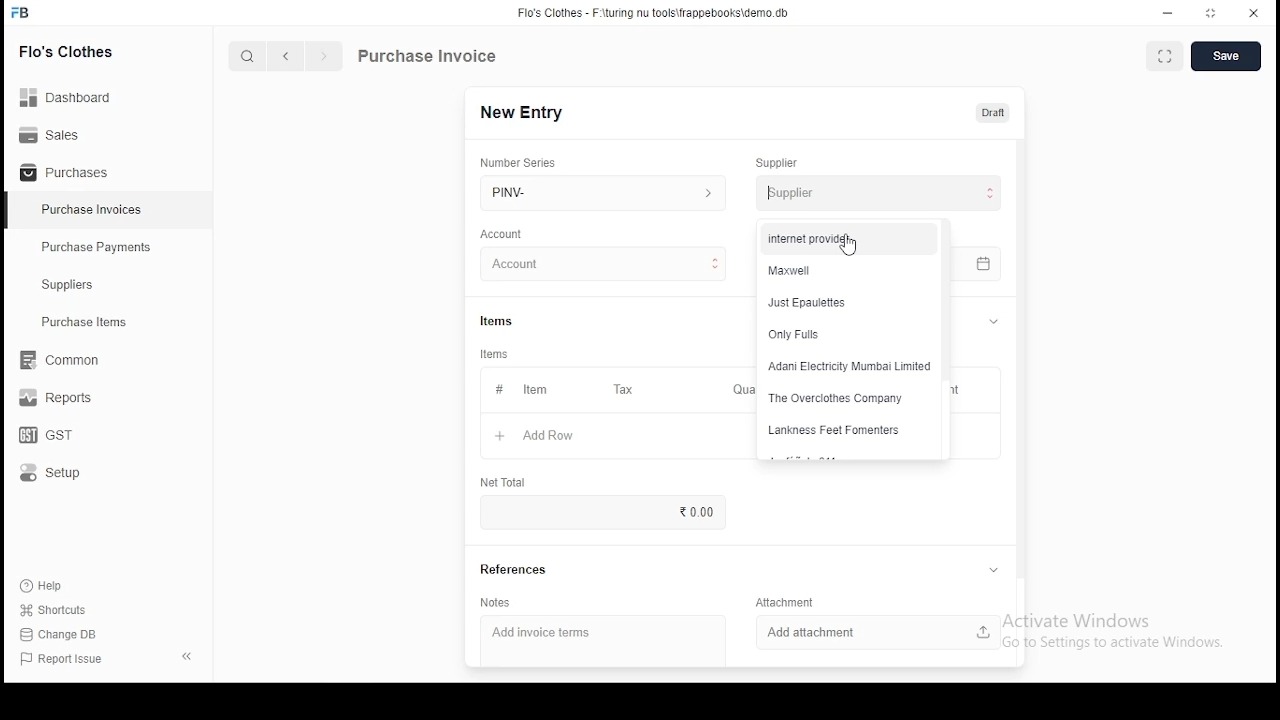  What do you see at coordinates (846, 237) in the screenshot?
I see `internet provider` at bounding box center [846, 237].